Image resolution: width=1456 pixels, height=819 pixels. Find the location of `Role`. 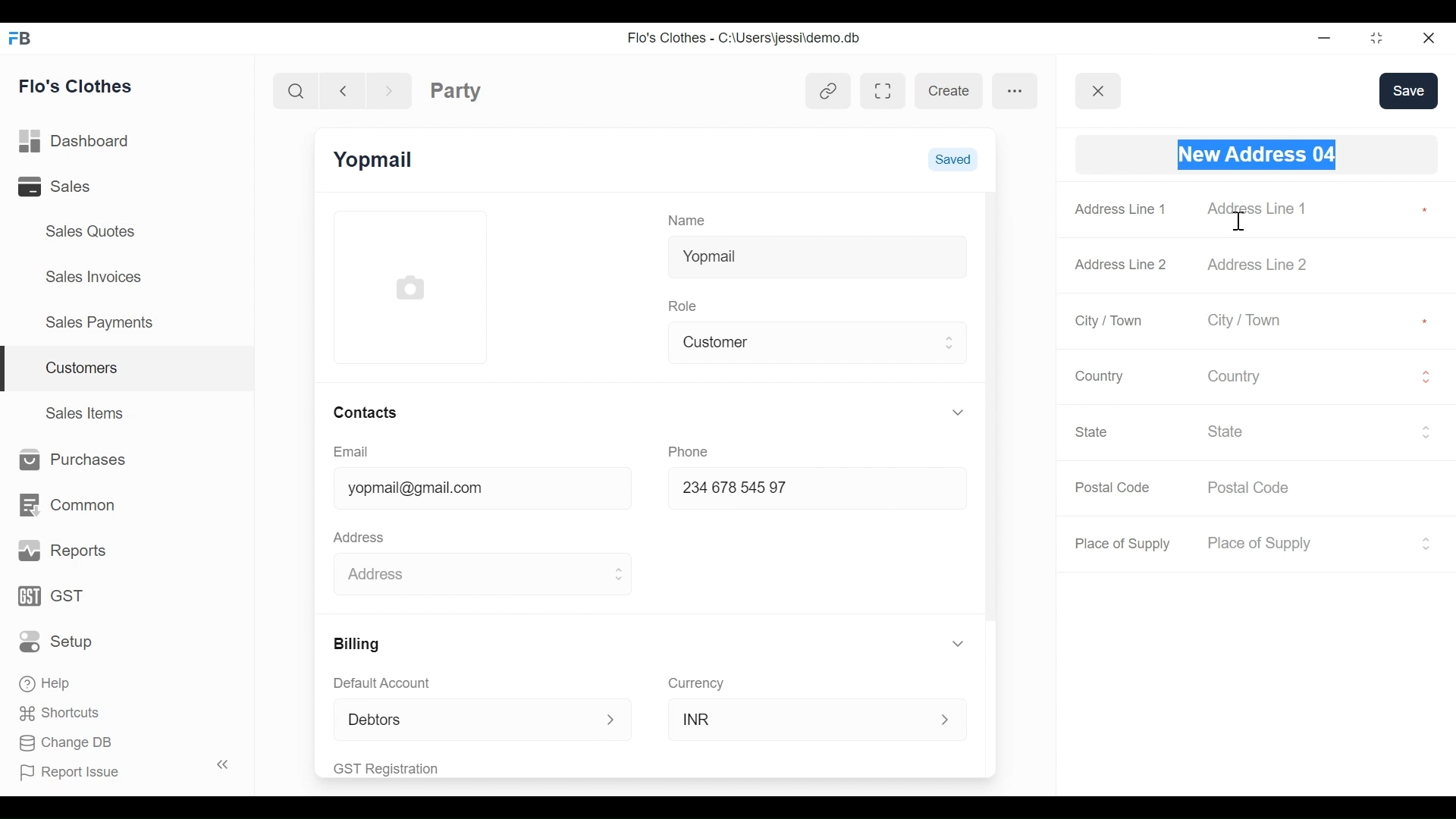

Role is located at coordinates (686, 304).